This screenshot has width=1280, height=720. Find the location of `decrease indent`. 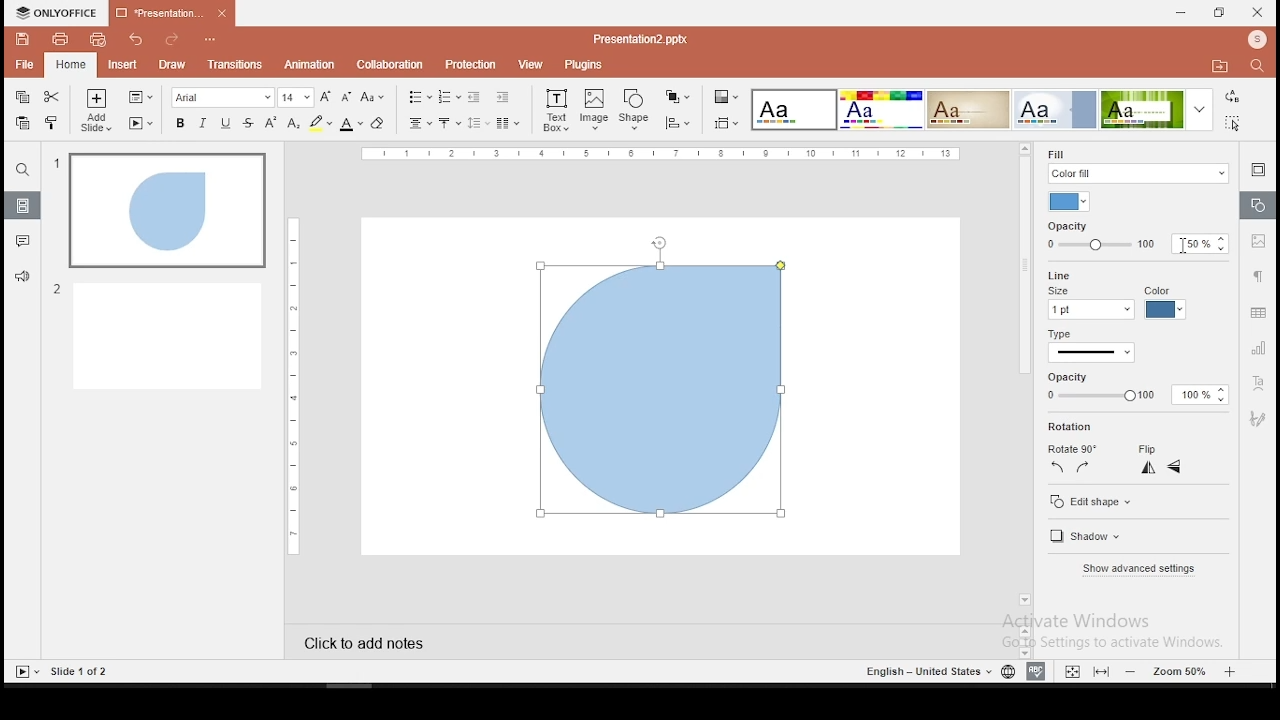

decrease indent is located at coordinates (473, 97).